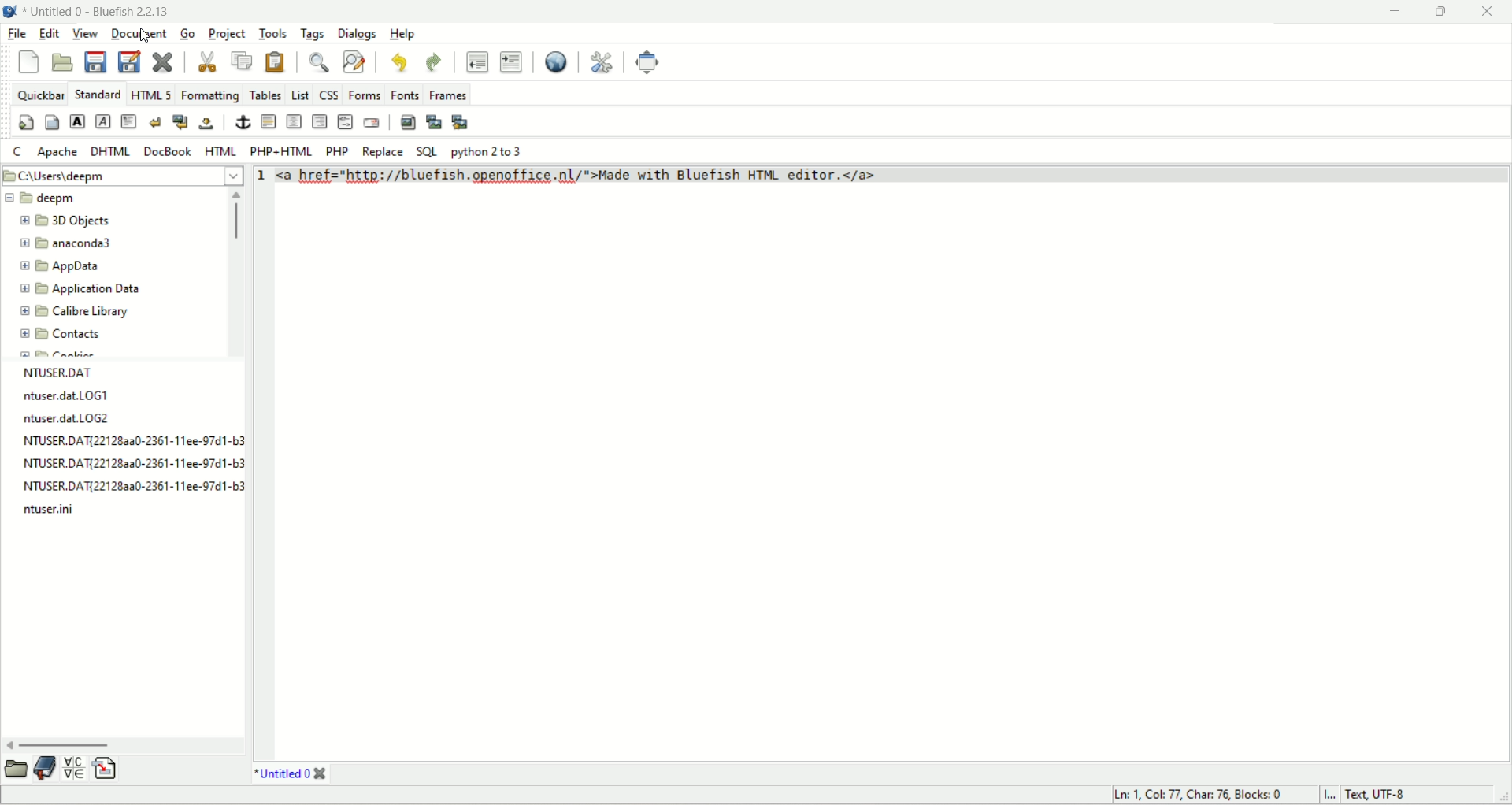 This screenshot has width=1512, height=805. What do you see at coordinates (137, 33) in the screenshot?
I see `document` at bounding box center [137, 33].